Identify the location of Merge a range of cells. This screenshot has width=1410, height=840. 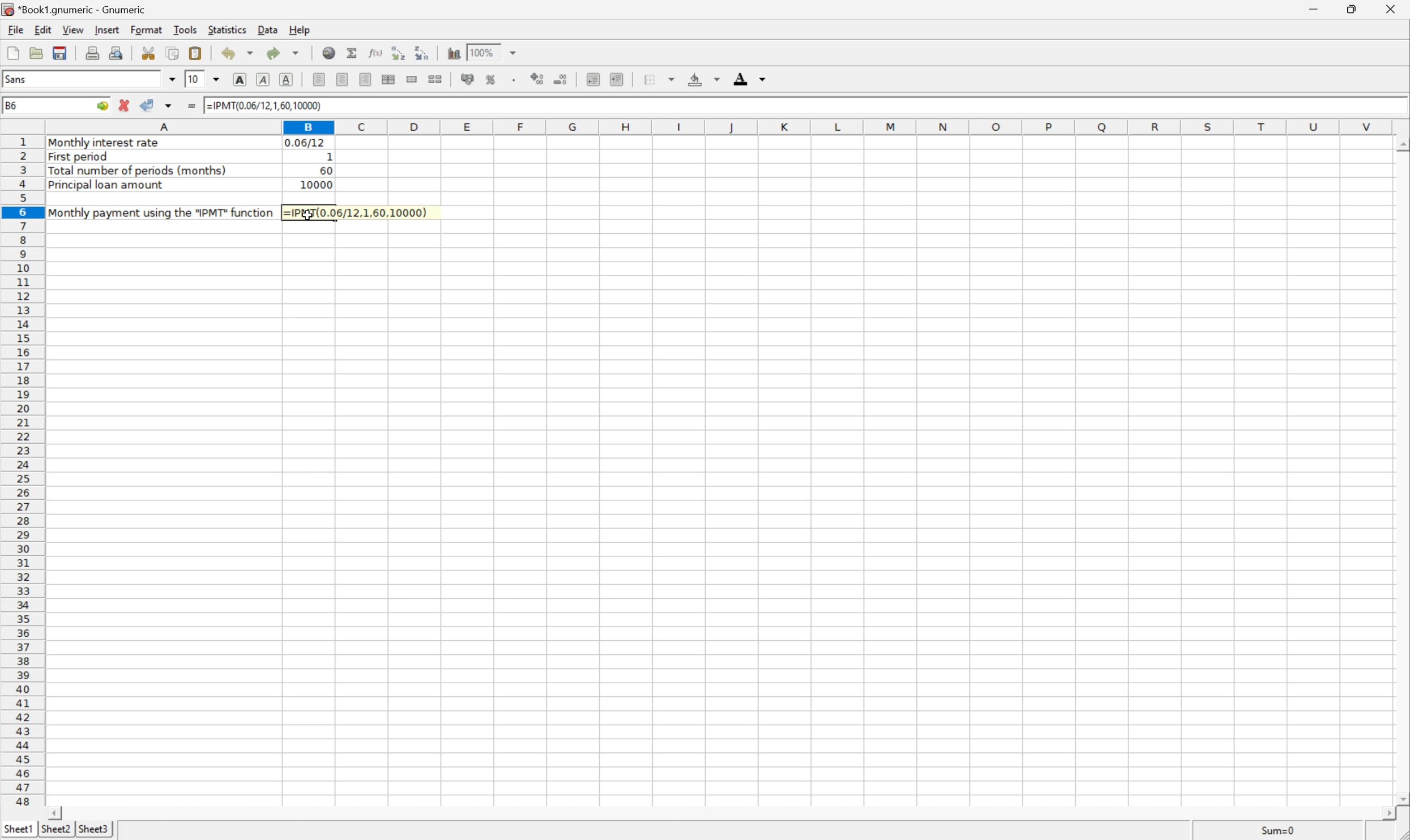
(413, 80).